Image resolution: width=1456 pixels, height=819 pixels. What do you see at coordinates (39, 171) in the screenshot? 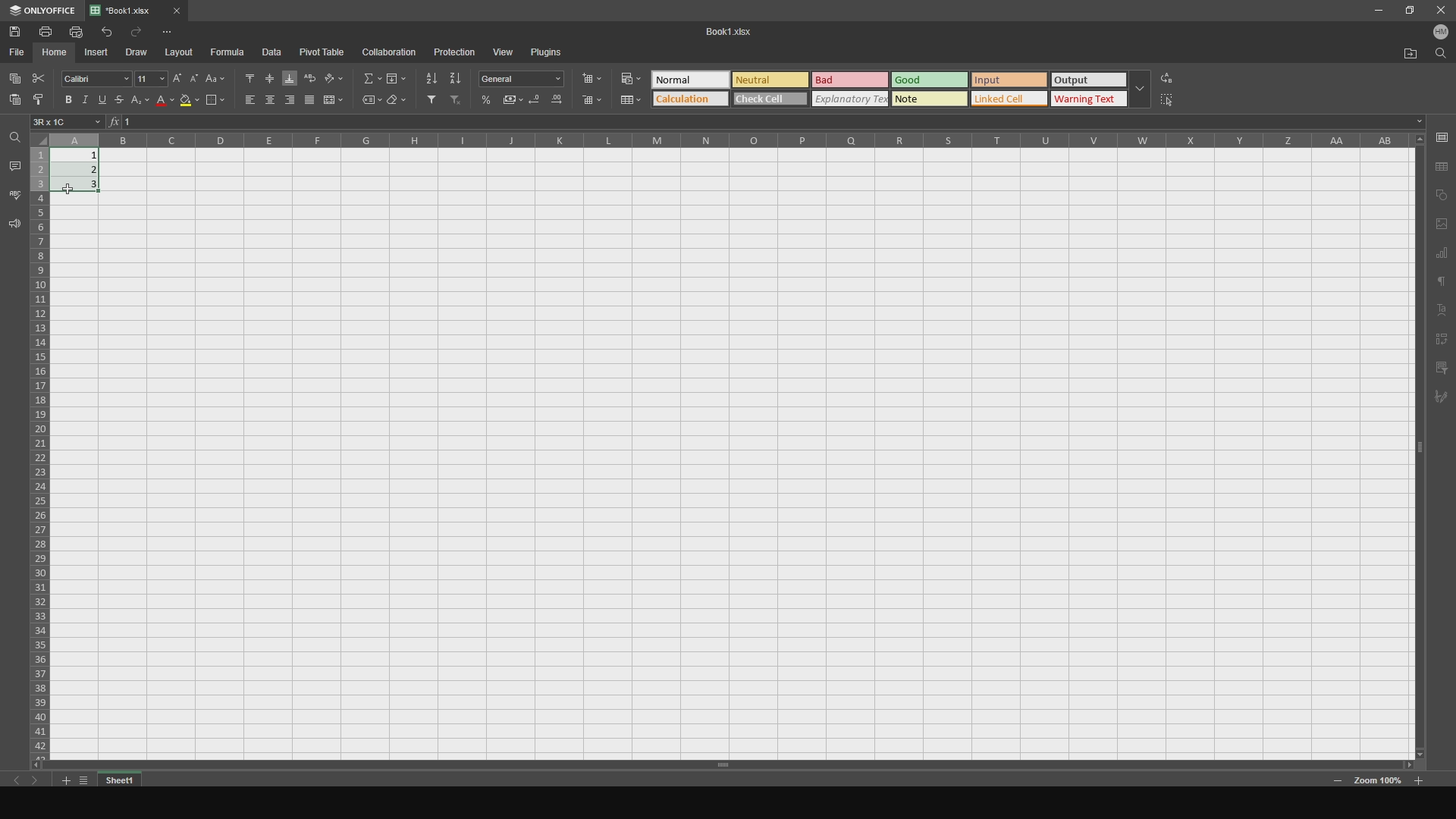
I see `selected rows` at bounding box center [39, 171].